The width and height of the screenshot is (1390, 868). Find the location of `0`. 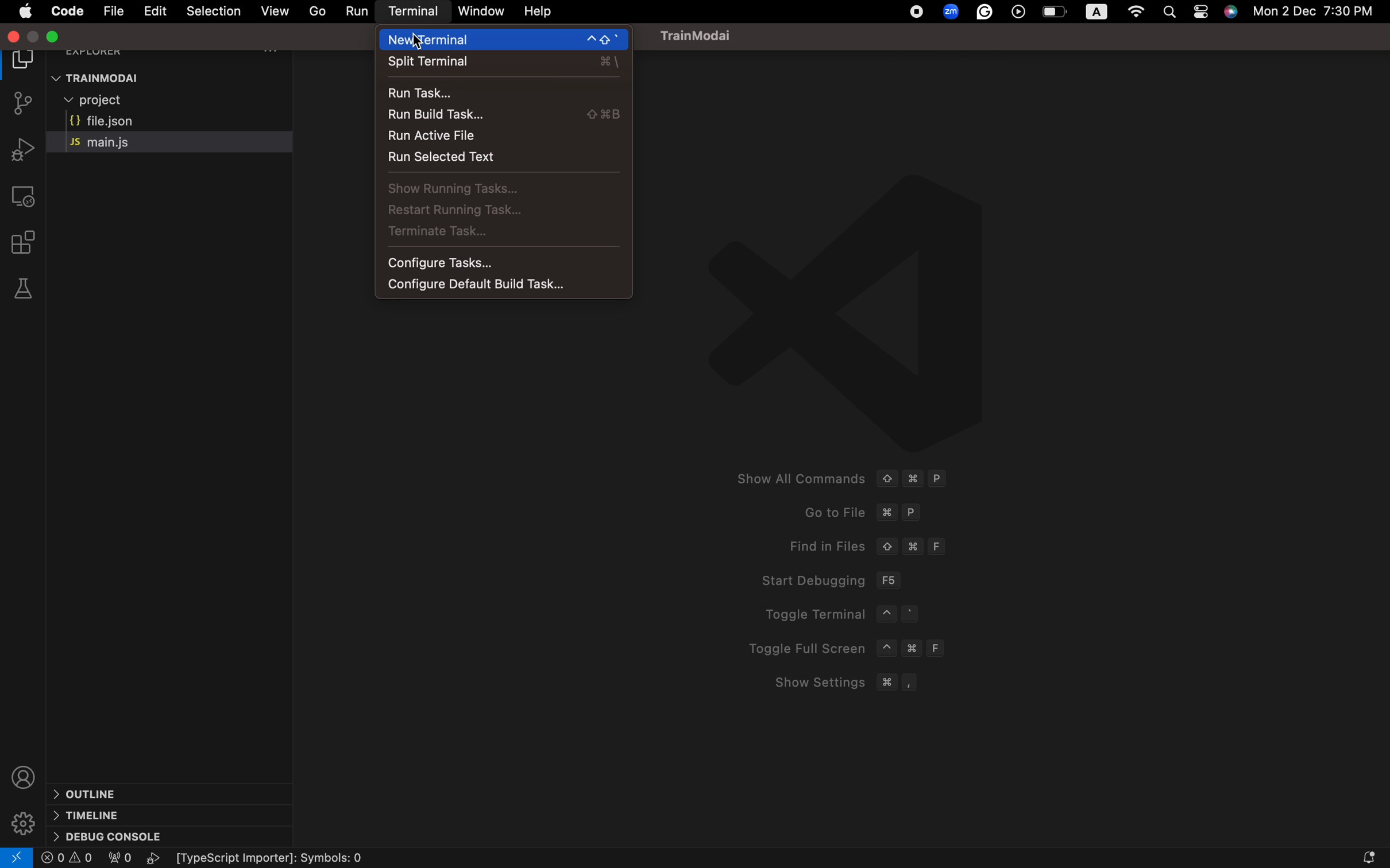

0 is located at coordinates (68, 858).